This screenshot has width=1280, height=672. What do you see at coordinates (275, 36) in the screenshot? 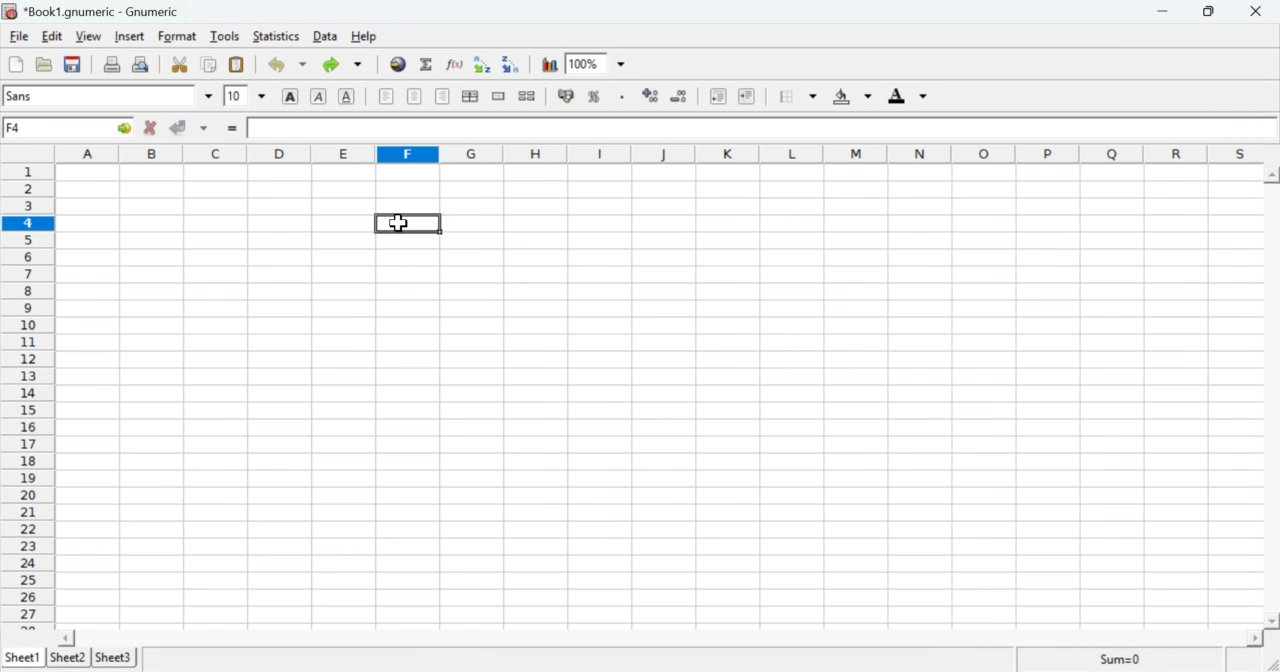
I see `Statistics` at bounding box center [275, 36].